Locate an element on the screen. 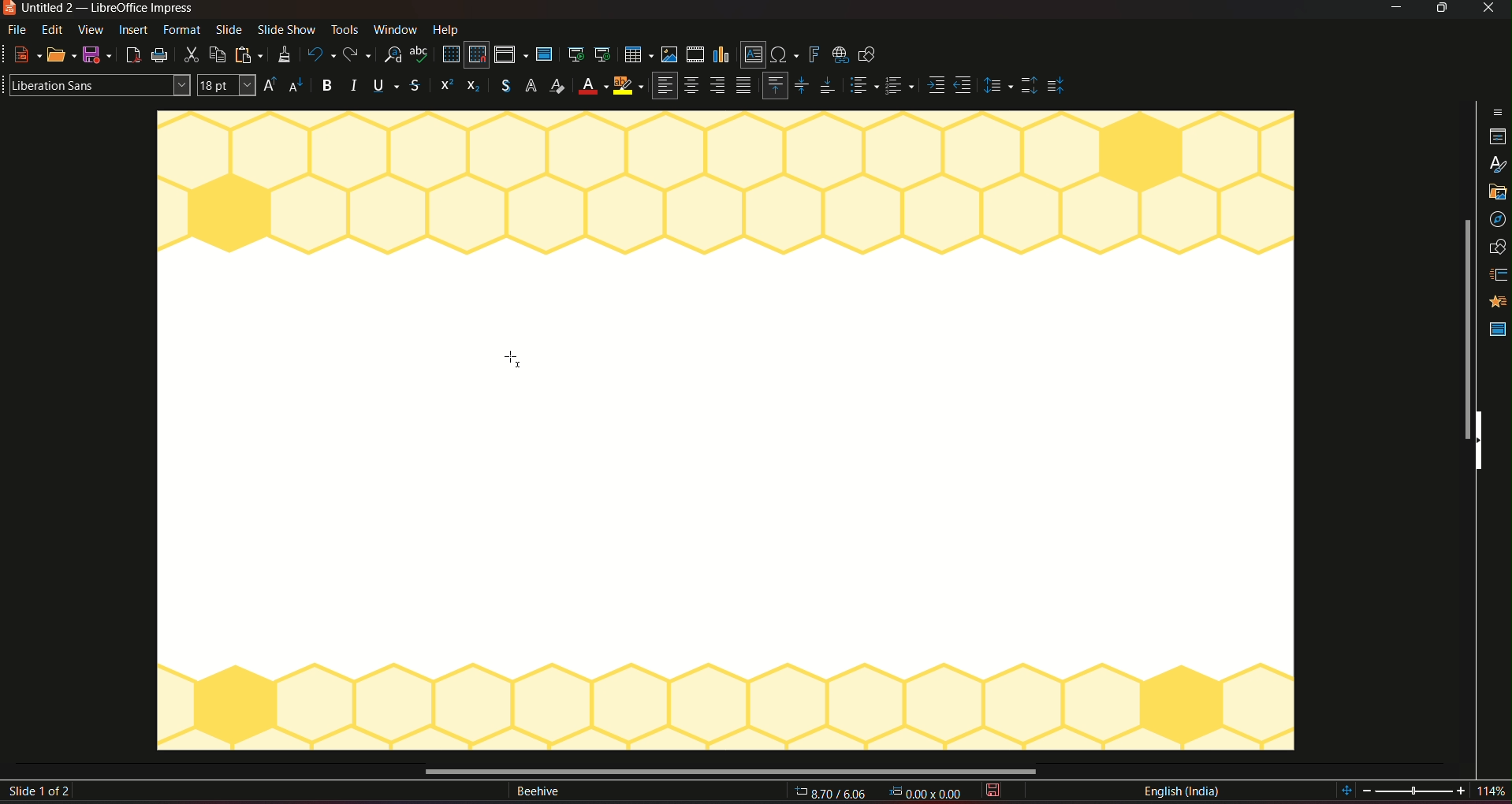  Untitled 2 — LibreOffice Impress is located at coordinates (99, 9).